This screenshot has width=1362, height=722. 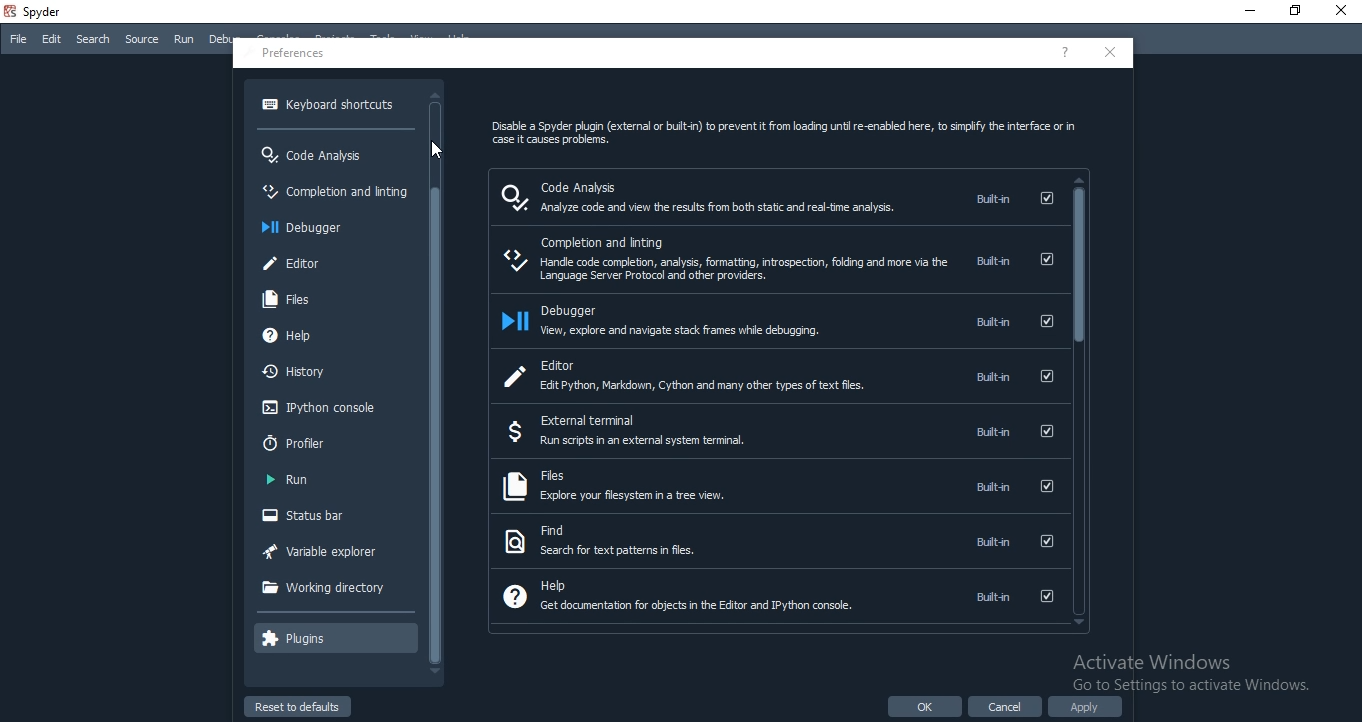 I want to click on Search, so click(x=93, y=40).